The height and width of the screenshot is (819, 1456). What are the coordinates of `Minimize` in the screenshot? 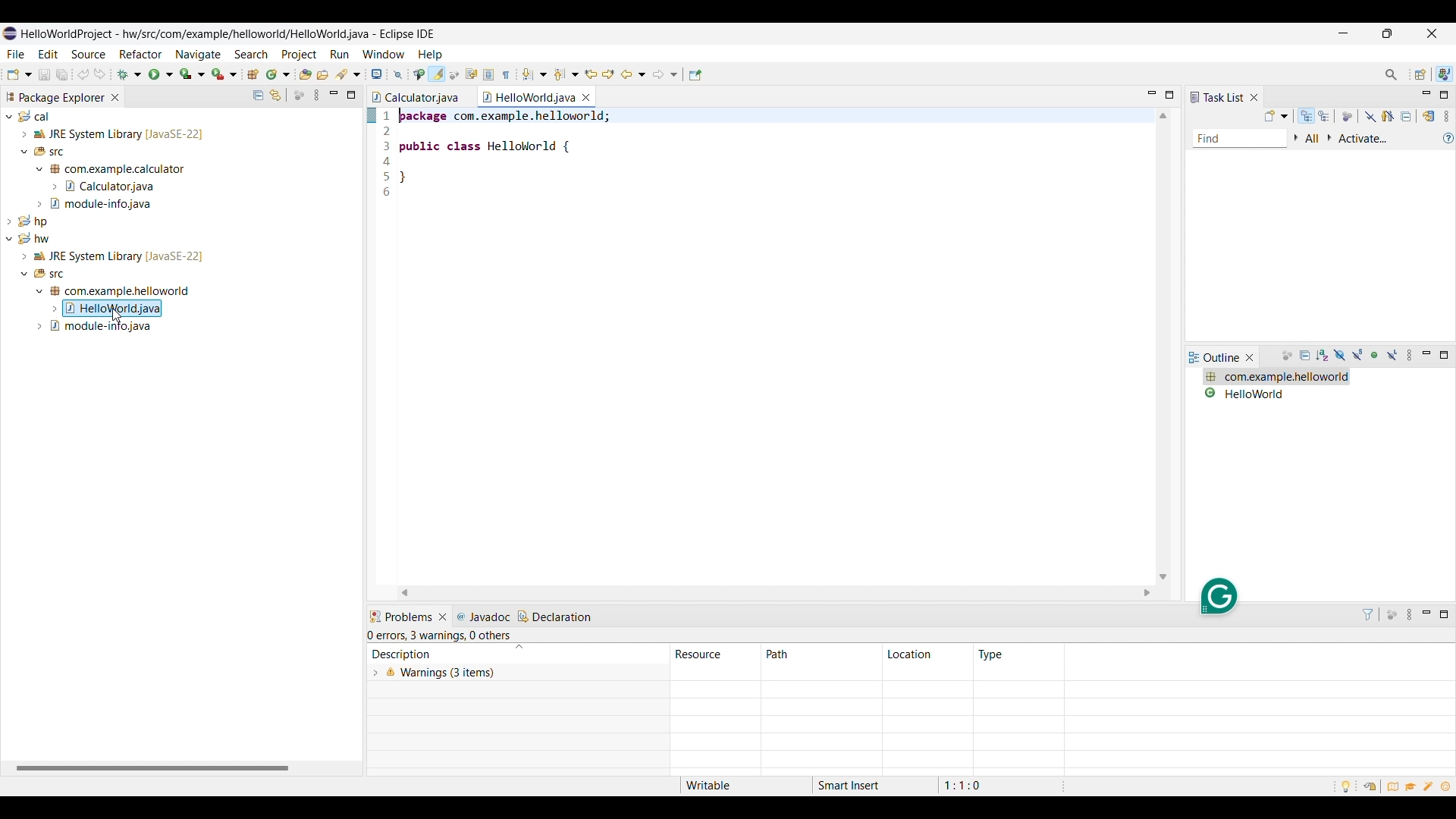 It's located at (1427, 96).